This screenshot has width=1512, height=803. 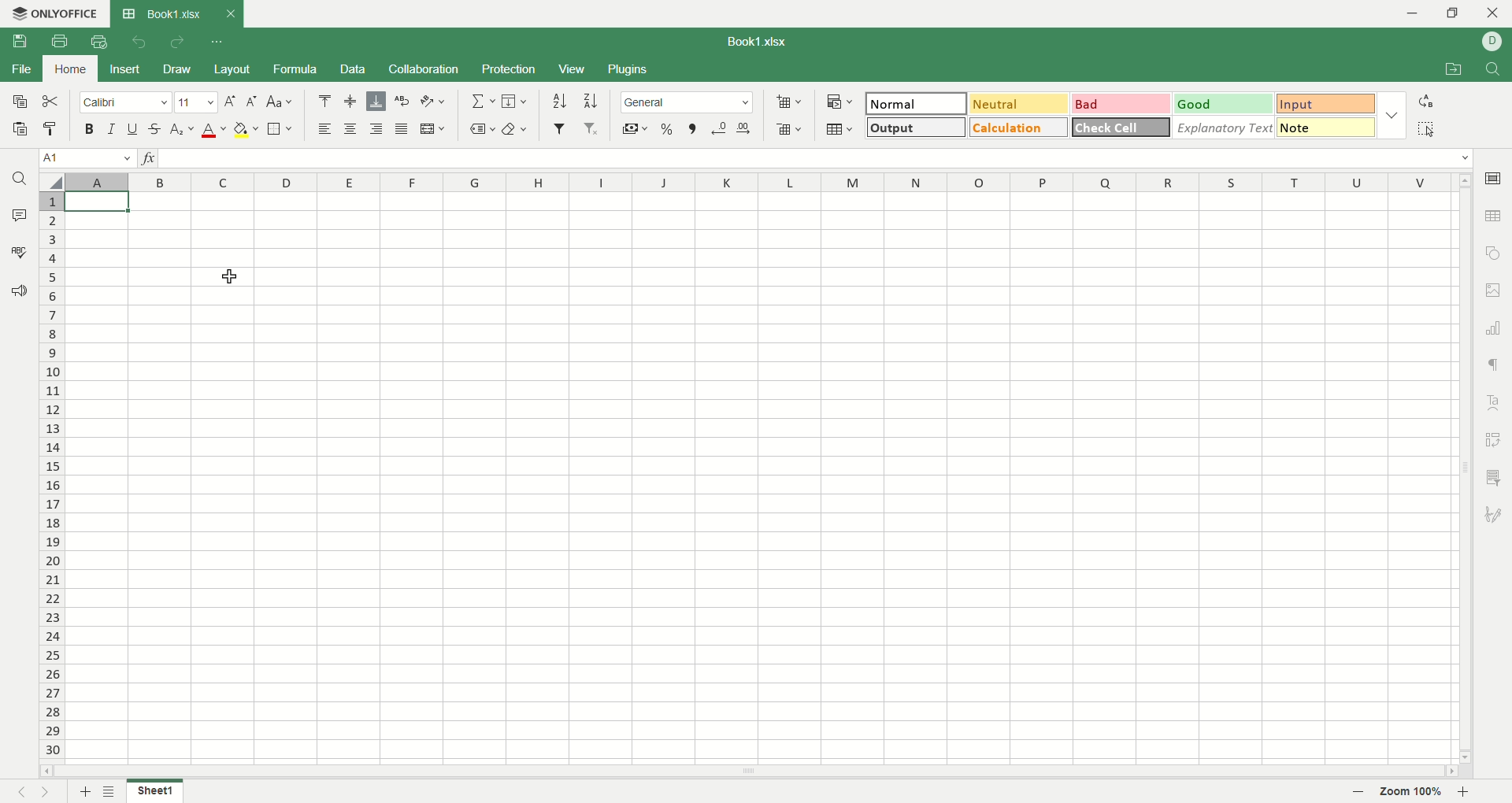 What do you see at coordinates (424, 71) in the screenshot?
I see `collaboration` at bounding box center [424, 71].